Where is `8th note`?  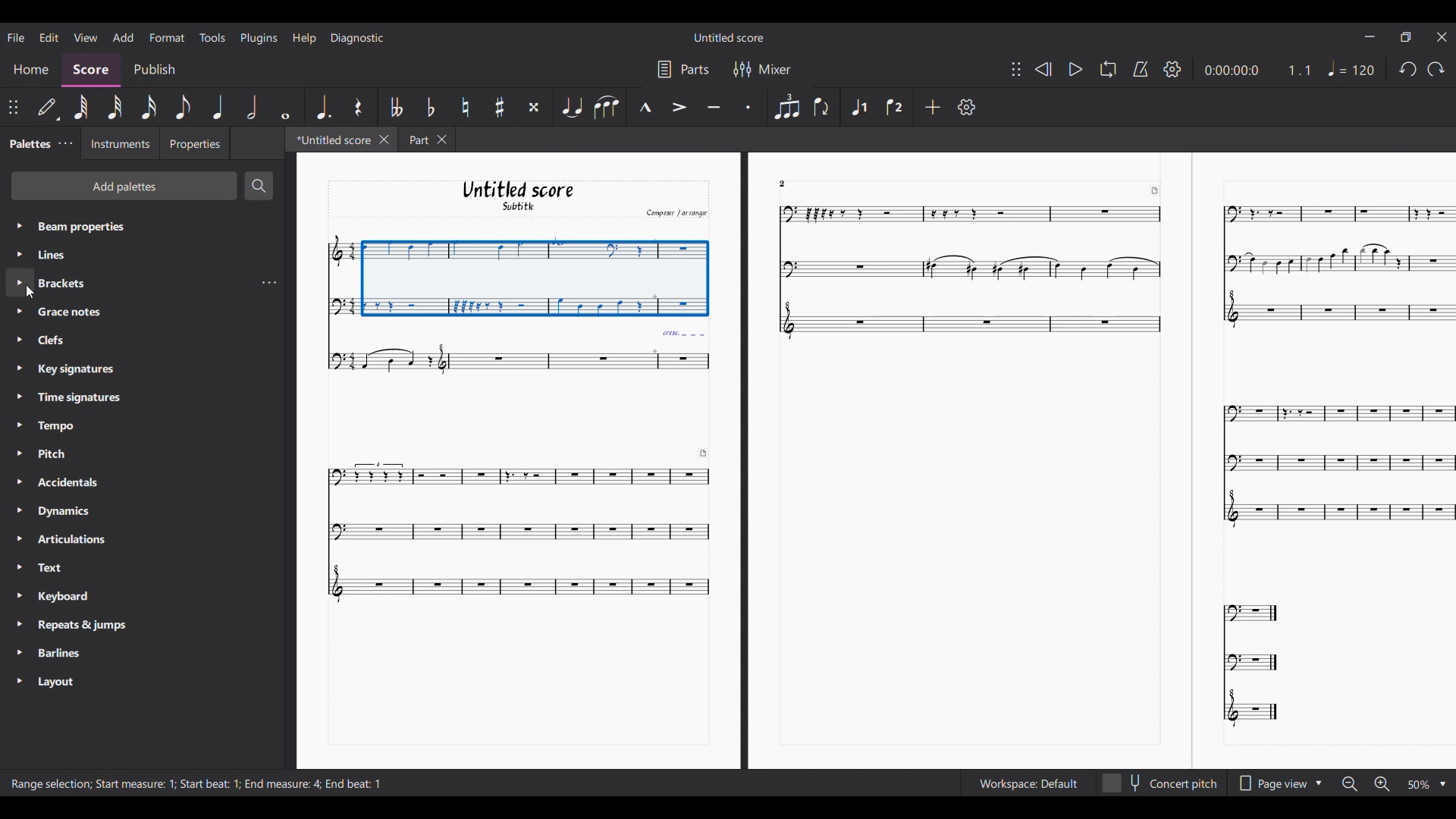
8th note is located at coordinates (183, 107).